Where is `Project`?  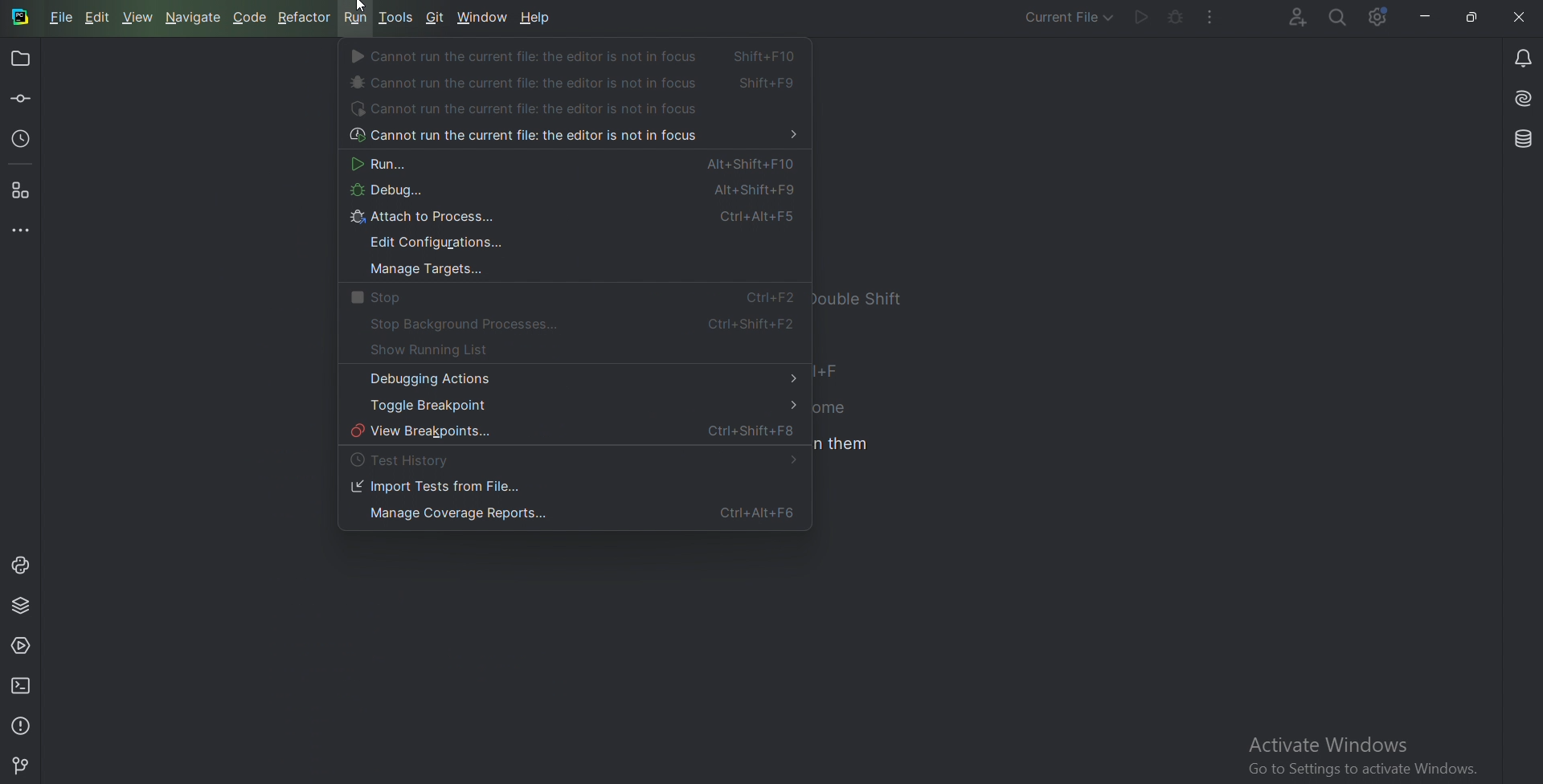 Project is located at coordinates (23, 58).